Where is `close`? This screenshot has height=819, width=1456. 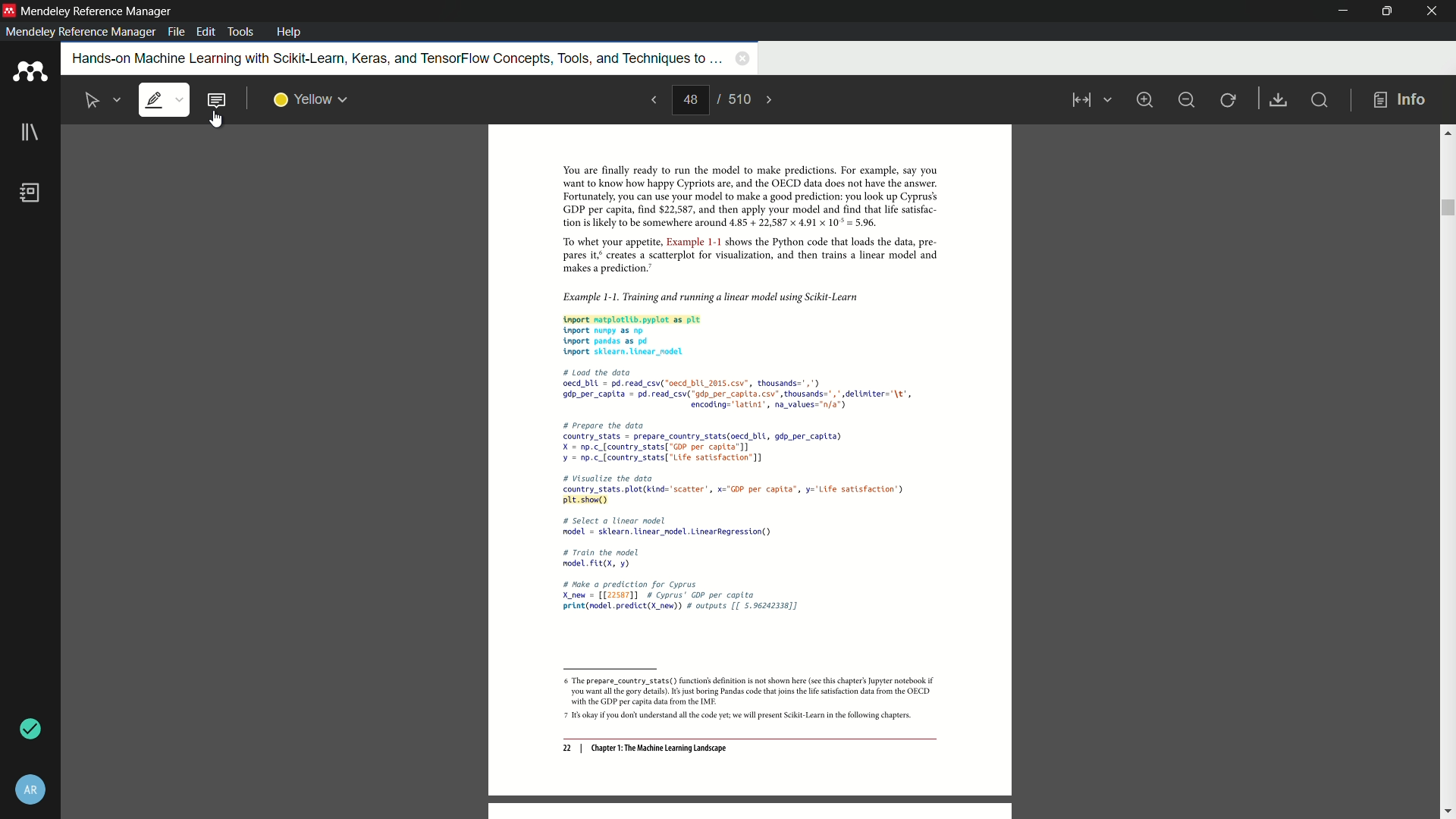
close is located at coordinates (1433, 11).